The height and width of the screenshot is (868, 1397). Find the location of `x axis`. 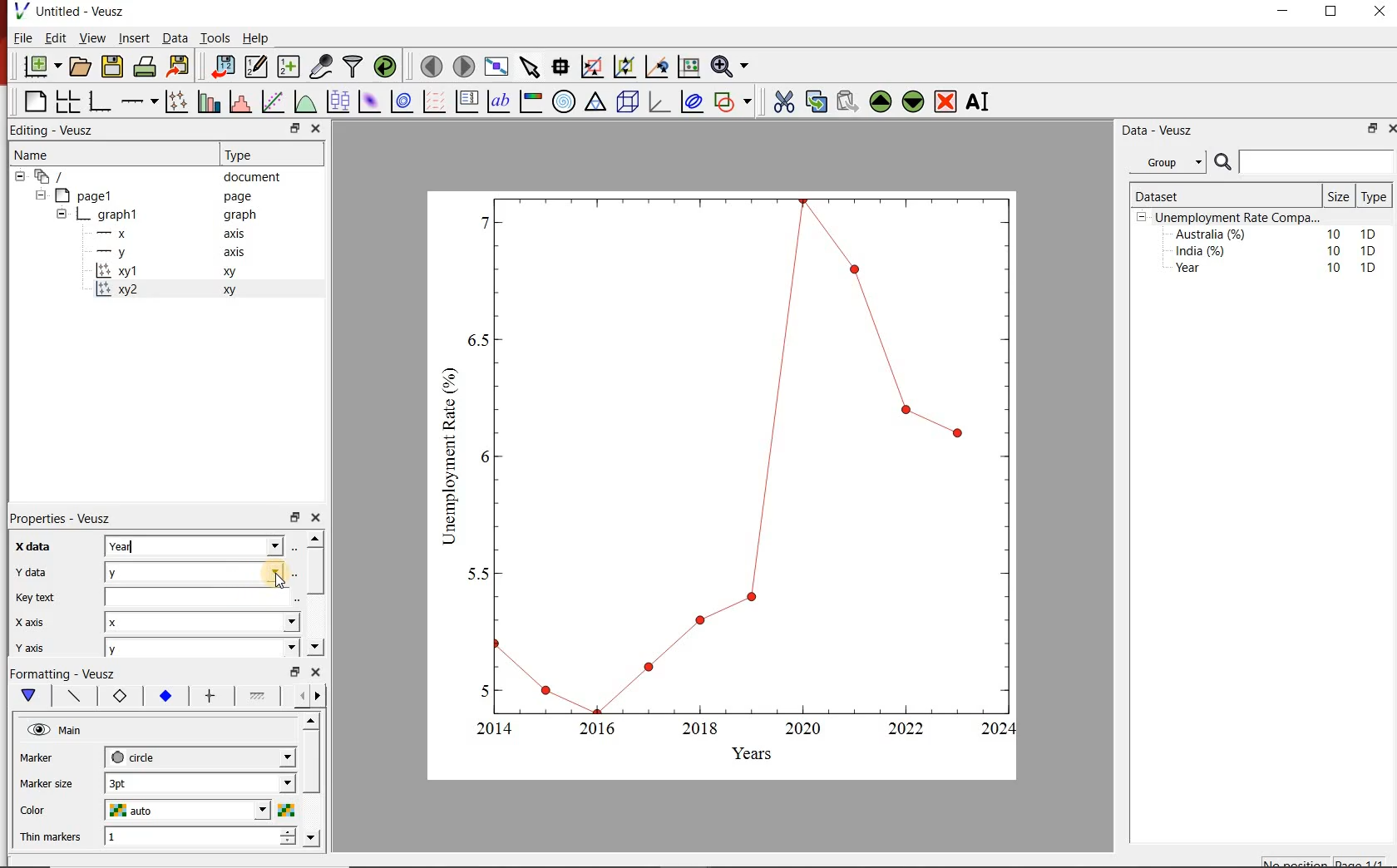

x axis is located at coordinates (178, 233).